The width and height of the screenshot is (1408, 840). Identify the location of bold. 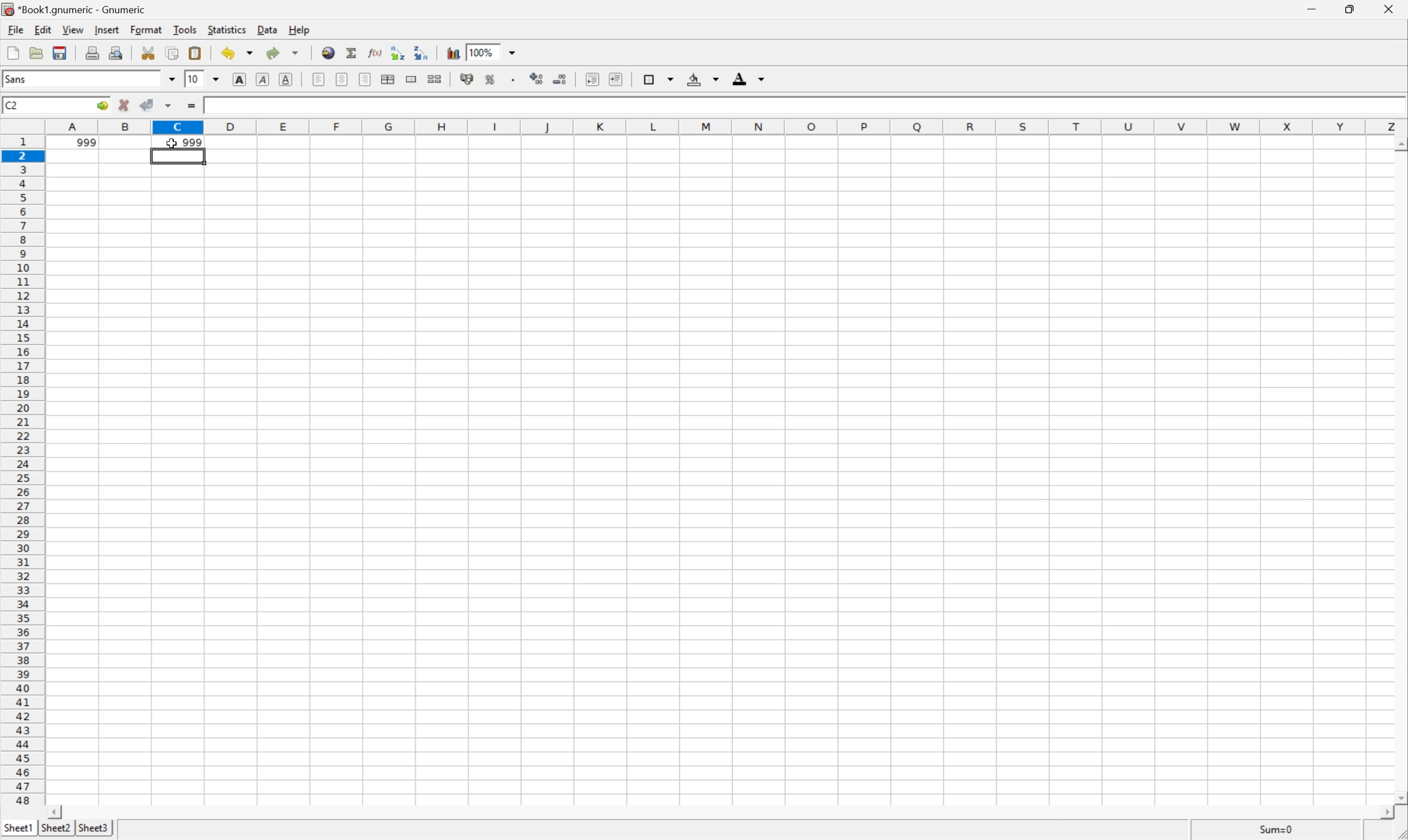
(242, 78).